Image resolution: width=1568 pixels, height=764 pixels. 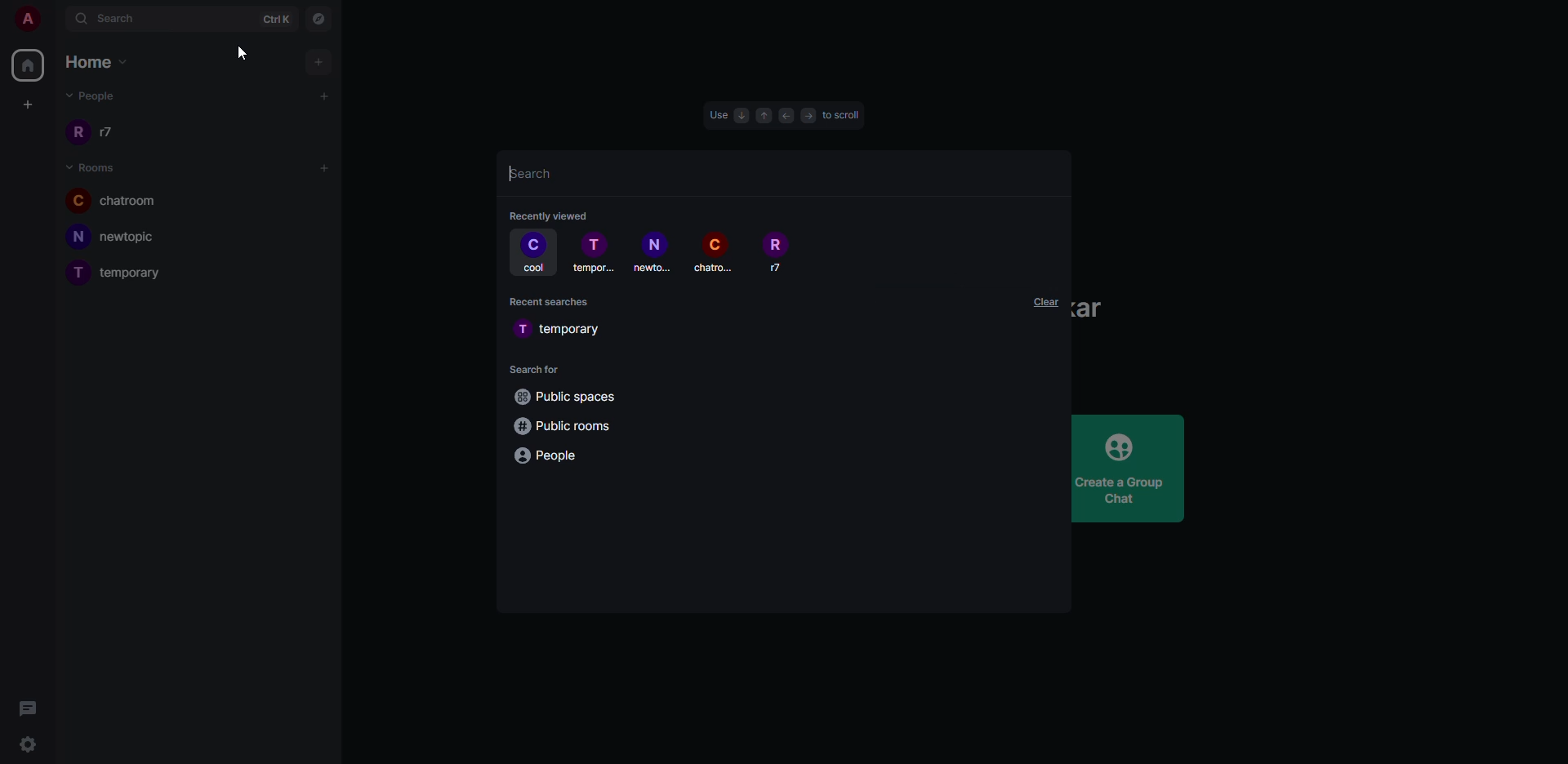 I want to click on threads, so click(x=27, y=708).